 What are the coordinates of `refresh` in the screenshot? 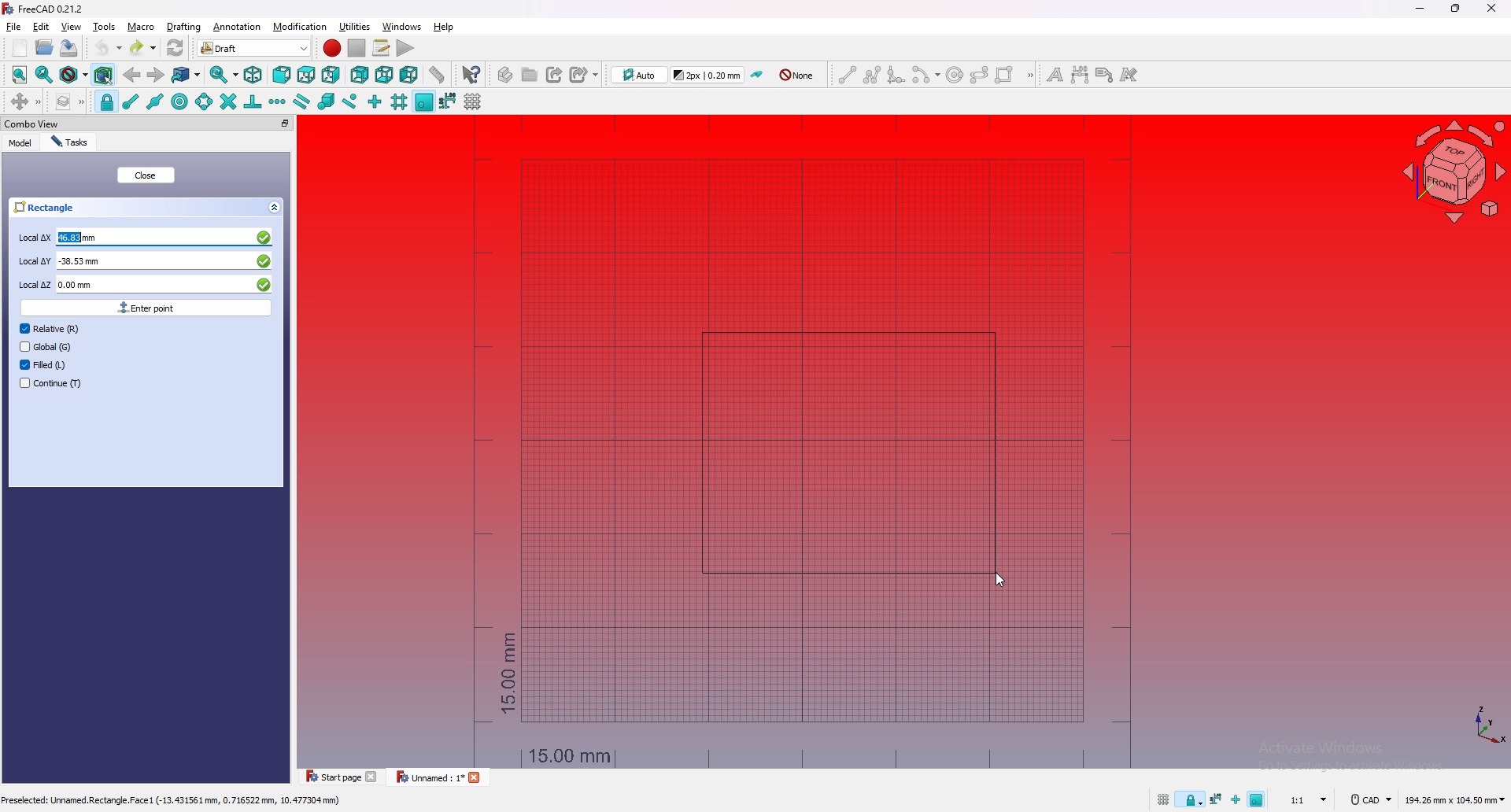 It's located at (175, 47).